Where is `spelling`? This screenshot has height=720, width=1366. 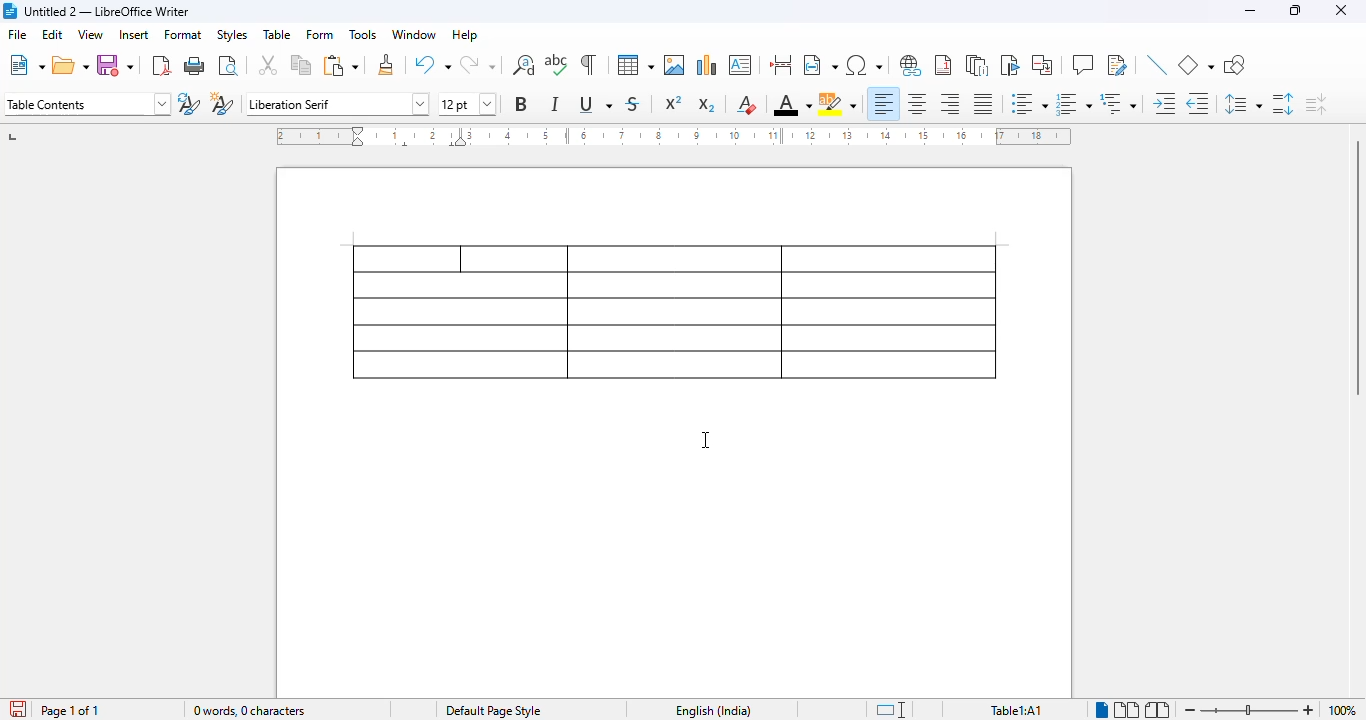 spelling is located at coordinates (557, 65).